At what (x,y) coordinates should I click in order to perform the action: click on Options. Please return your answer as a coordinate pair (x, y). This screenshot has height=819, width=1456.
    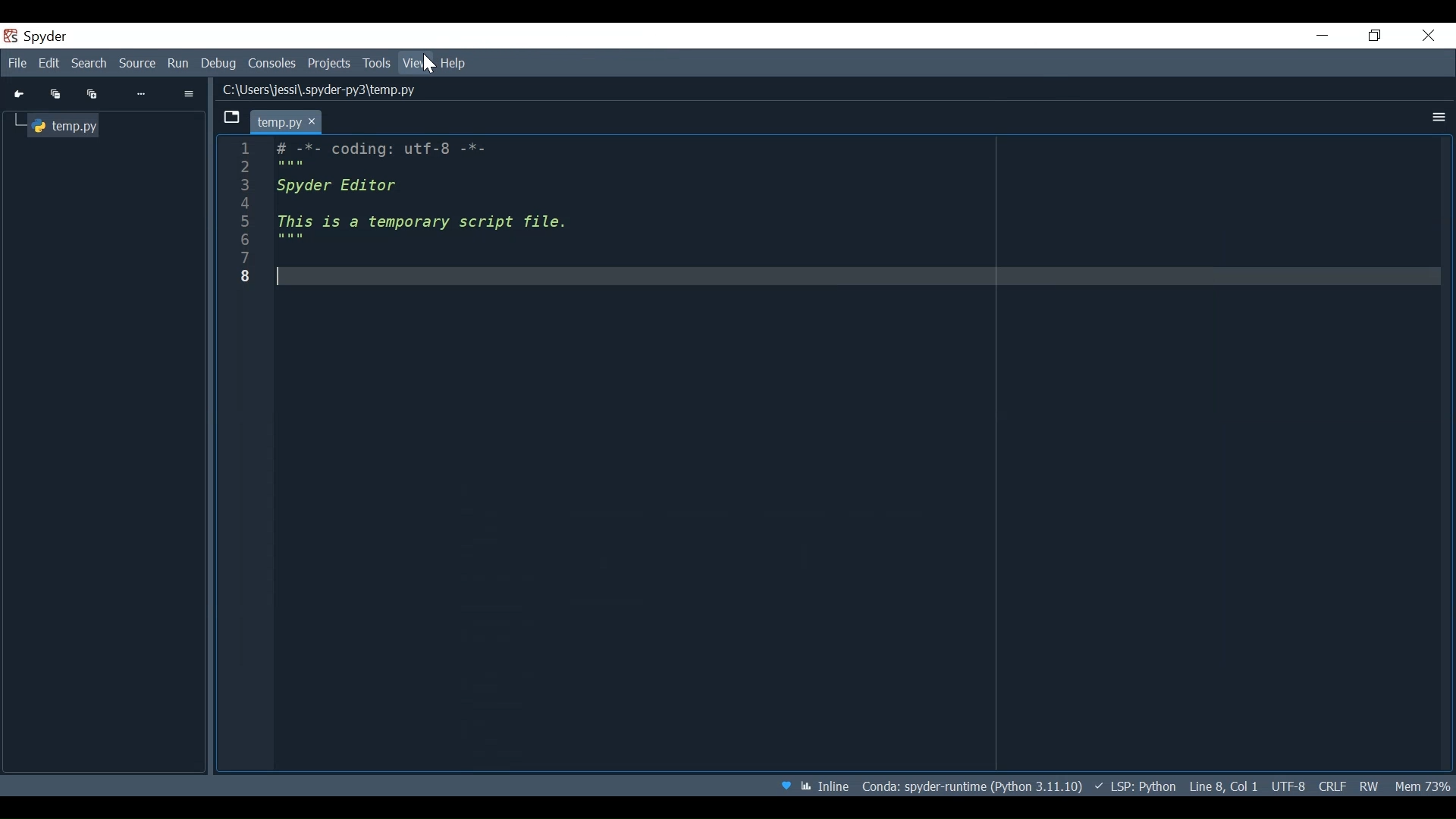
    Looking at the image, I should click on (190, 96).